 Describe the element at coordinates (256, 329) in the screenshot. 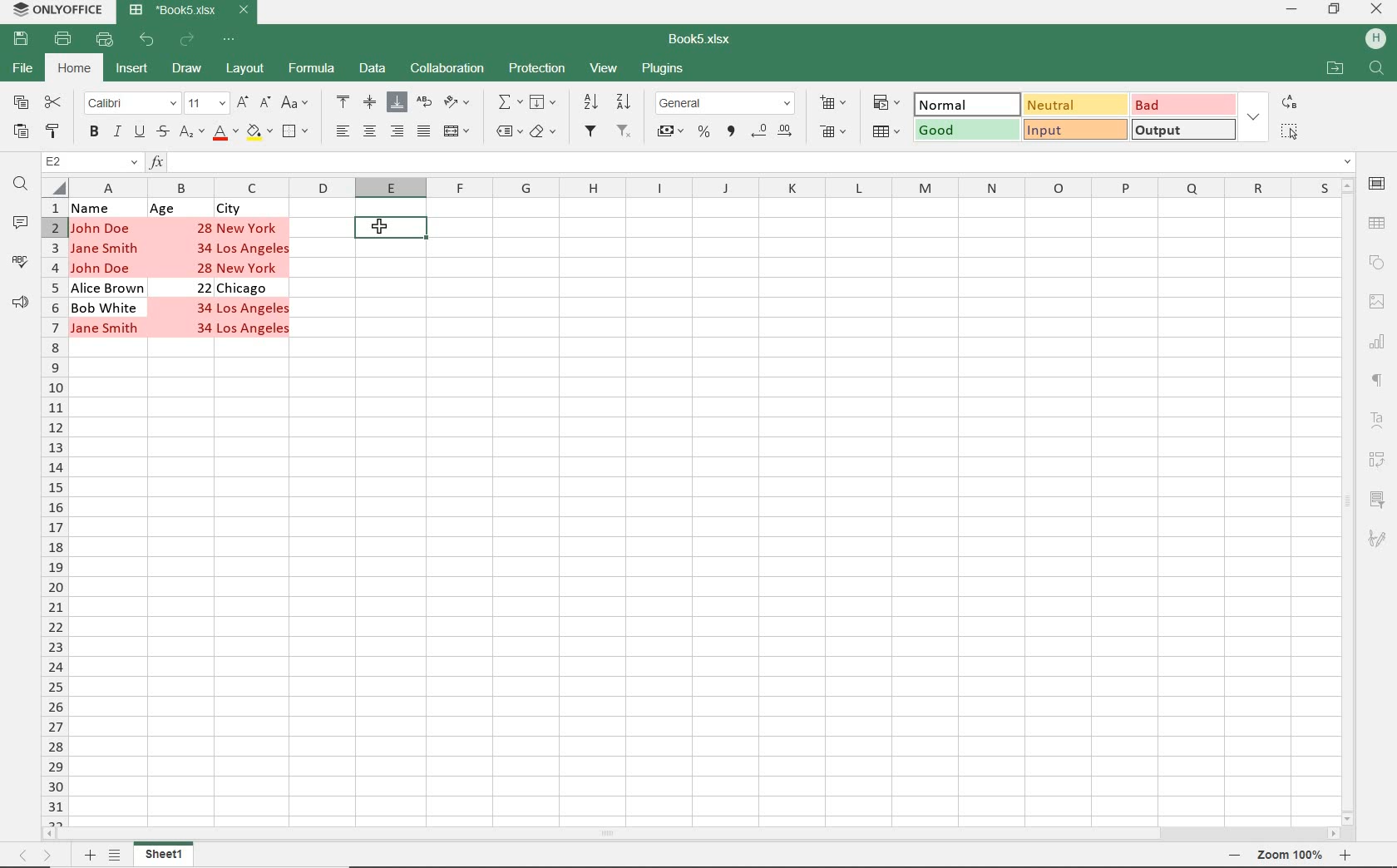

I see `Los Angeles` at that location.